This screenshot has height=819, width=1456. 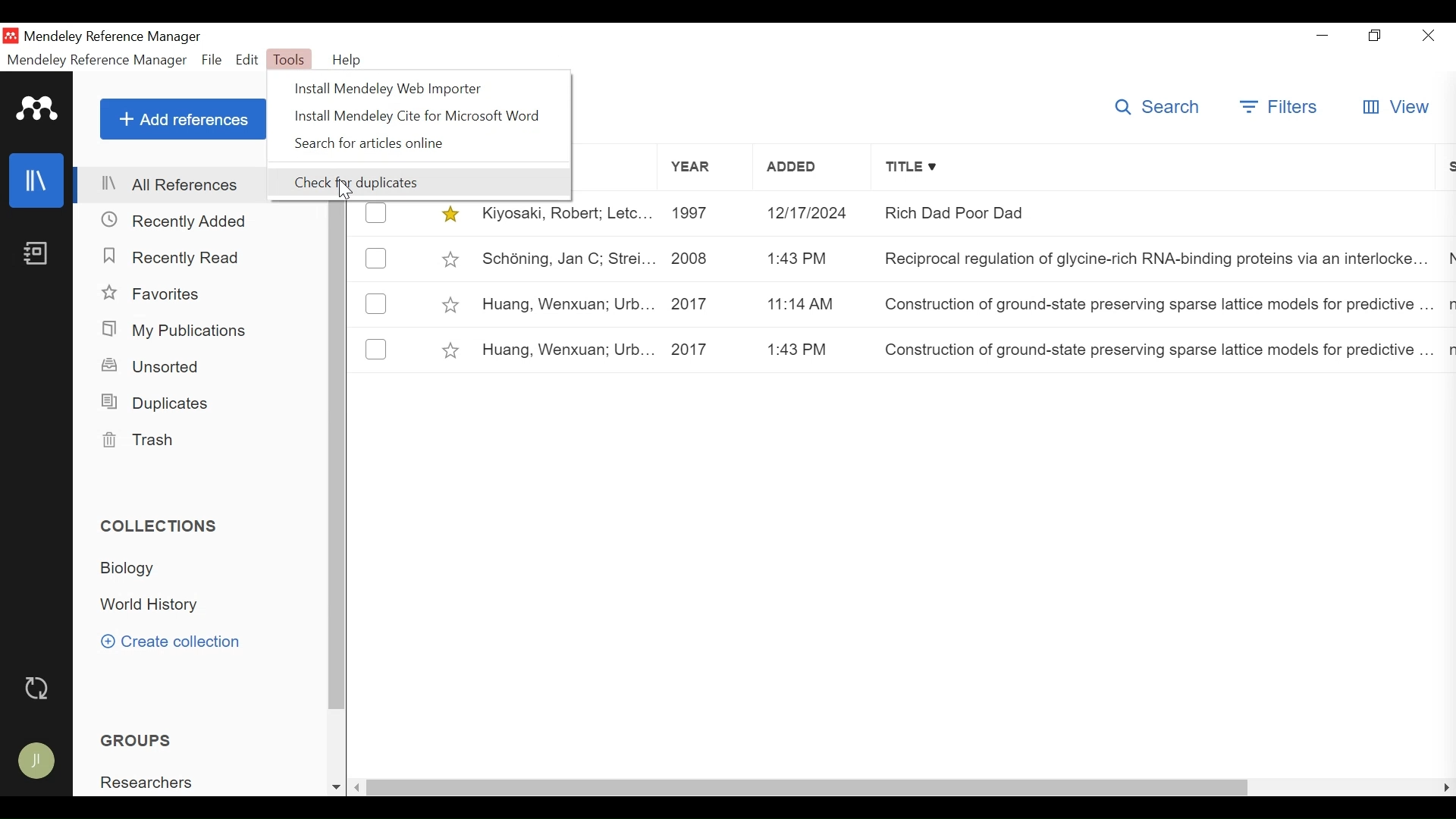 What do you see at coordinates (708, 350) in the screenshot?
I see `2017` at bounding box center [708, 350].